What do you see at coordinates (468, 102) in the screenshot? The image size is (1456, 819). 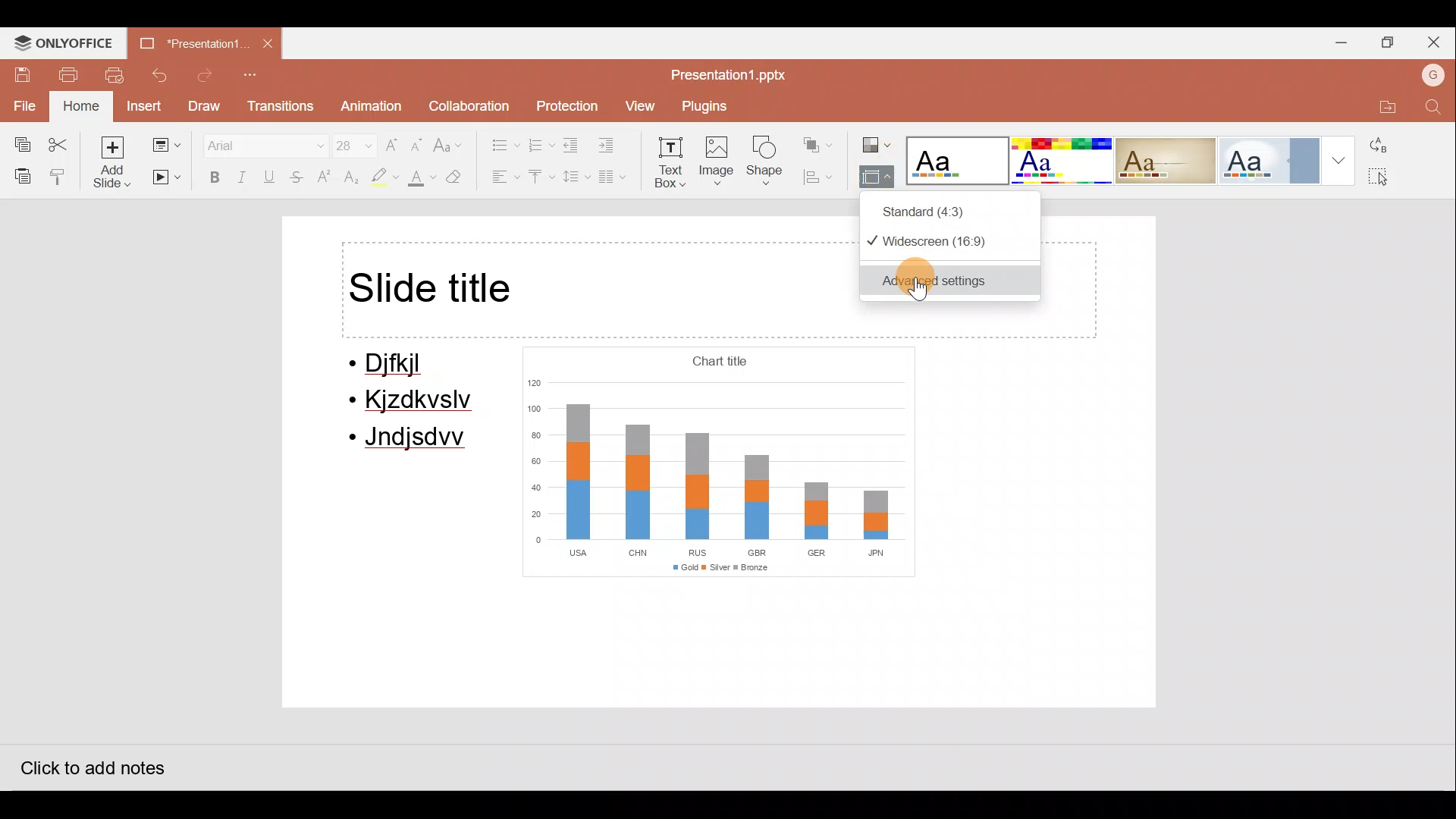 I see `Collaboration` at bounding box center [468, 102].